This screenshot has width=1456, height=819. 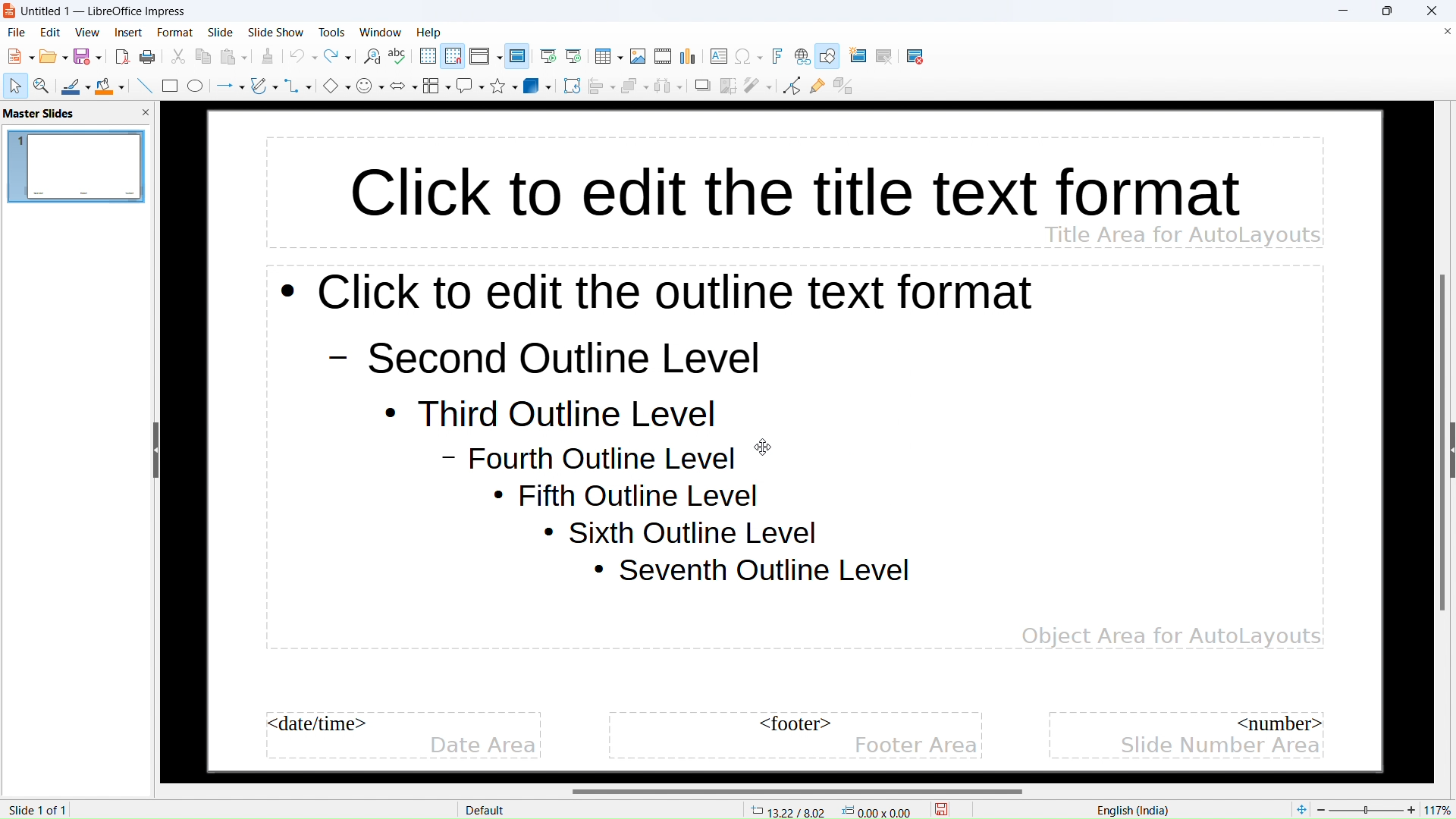 What do you see at coordinates (758, 85) in the screenshot?
I see `filter` at bounding box center [758, 85].